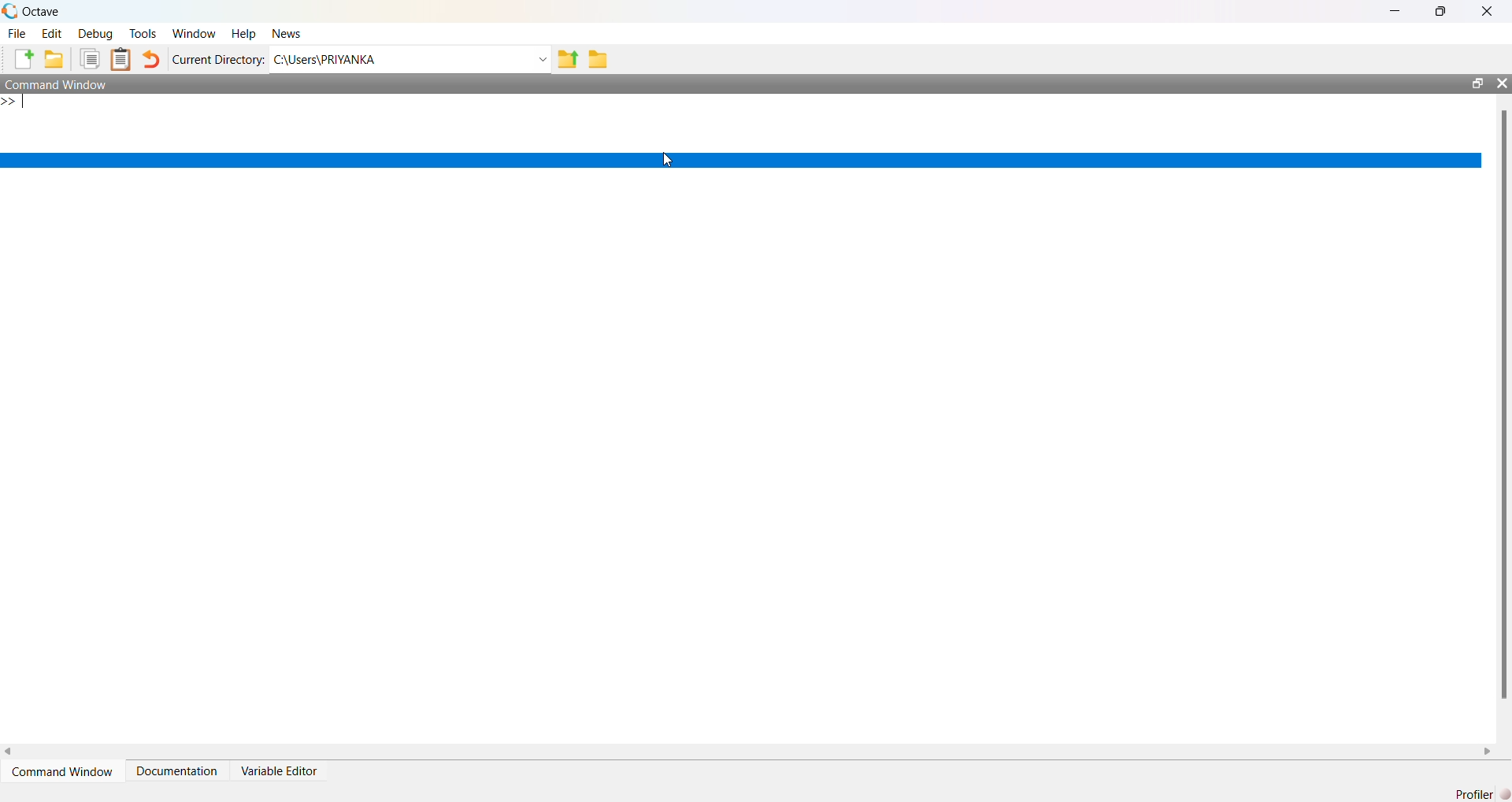 The image size is (1512, 802). Describe the element at coordinates (324, 59) in the screenshot. I see `C:\Users\PRIYANKA` at that location.